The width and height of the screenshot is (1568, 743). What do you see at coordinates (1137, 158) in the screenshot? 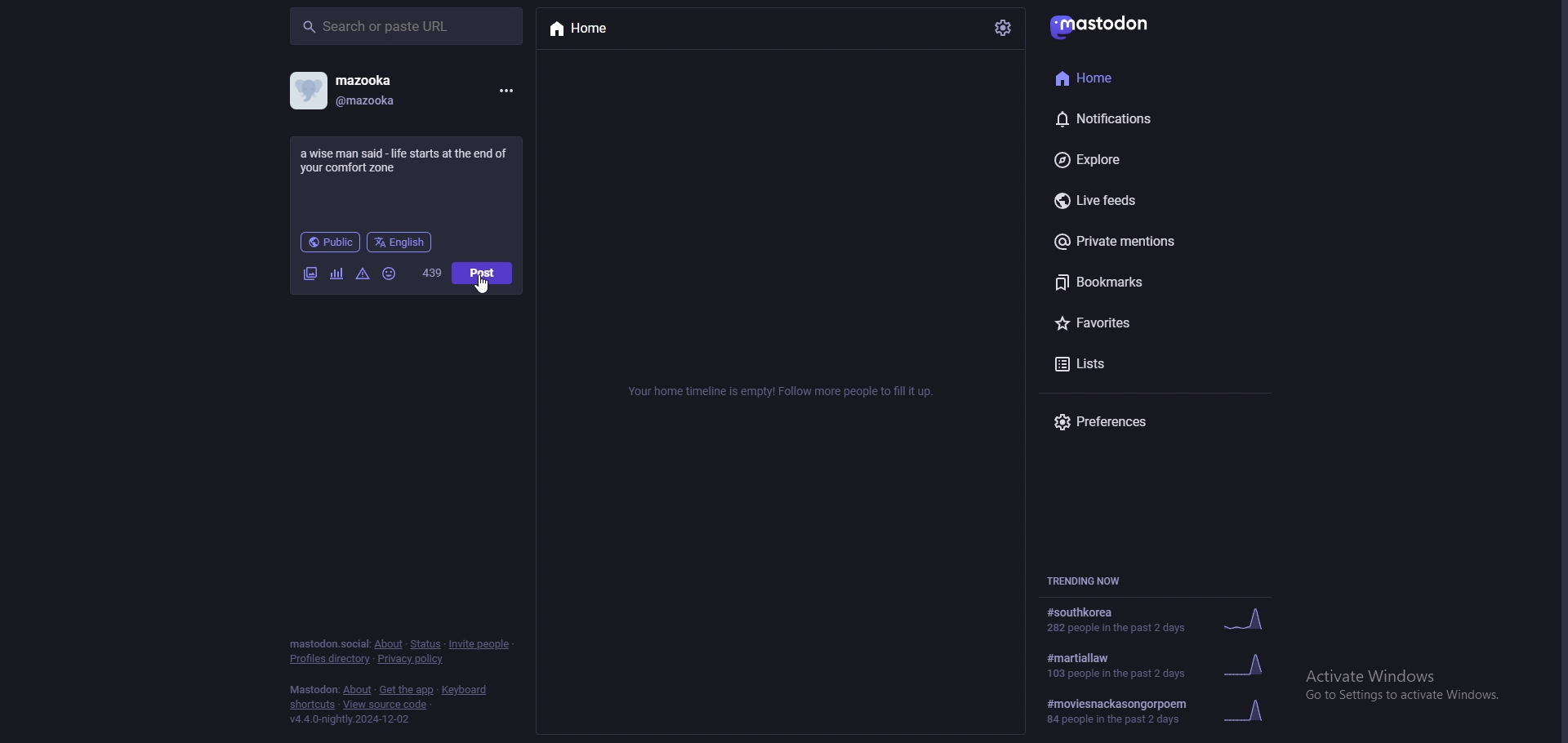
I see `Explore` at bounding box center [1137, 158].